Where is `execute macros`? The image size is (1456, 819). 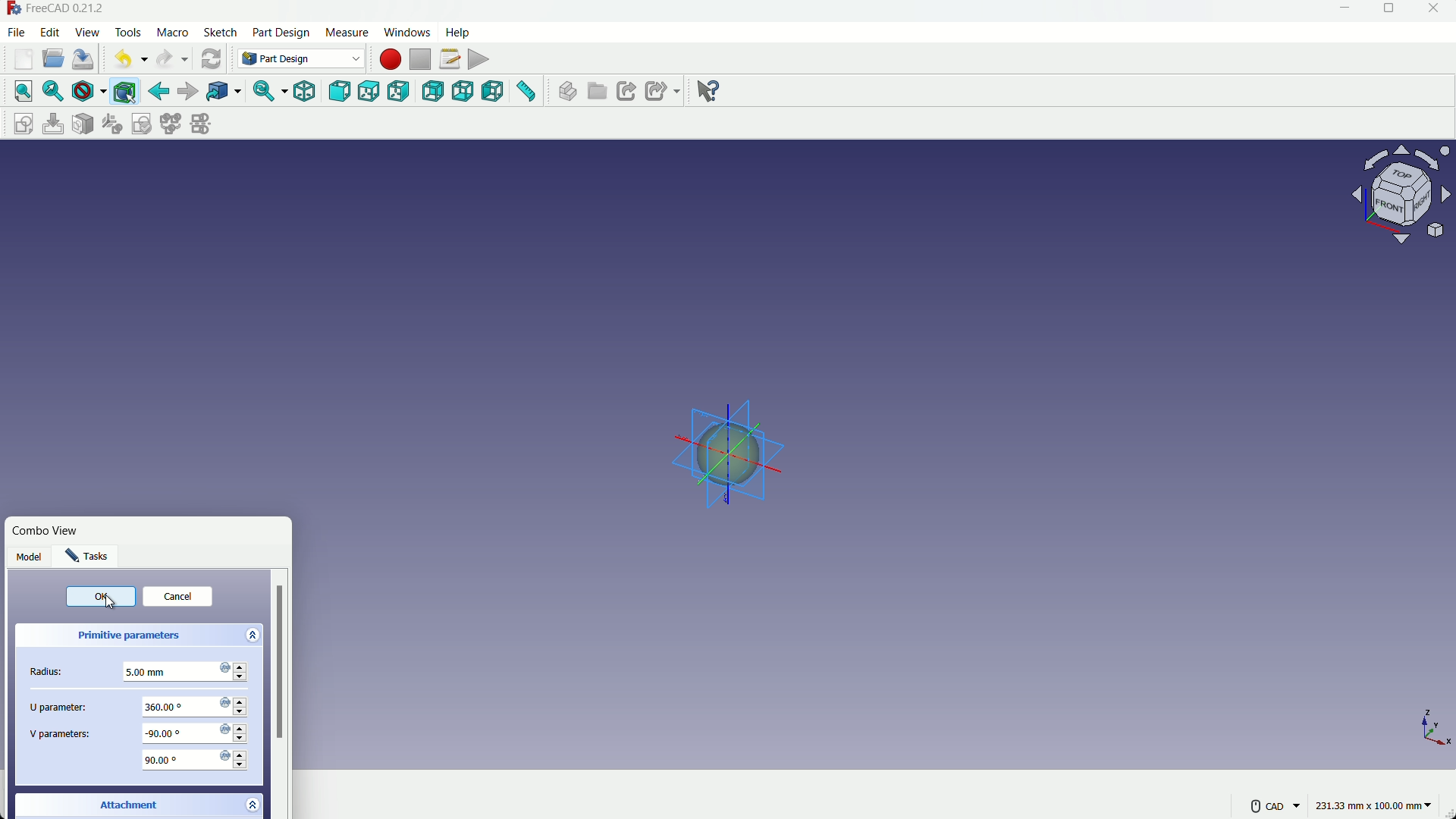 execute macros is located at coordinates (479, 59).